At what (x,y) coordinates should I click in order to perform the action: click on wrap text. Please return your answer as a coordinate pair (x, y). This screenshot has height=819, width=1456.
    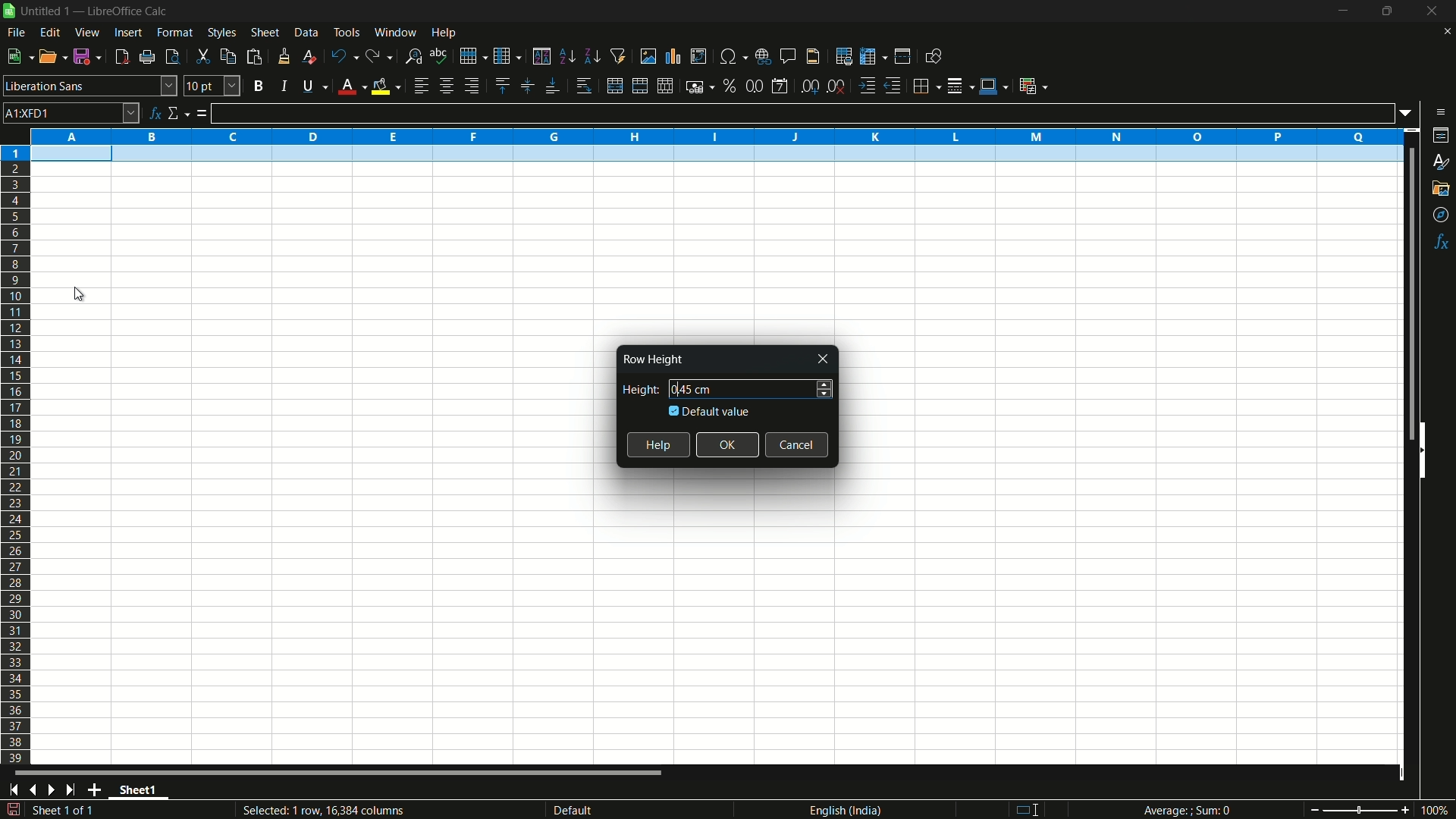
    Looking at the image, I should click on (587, 86).